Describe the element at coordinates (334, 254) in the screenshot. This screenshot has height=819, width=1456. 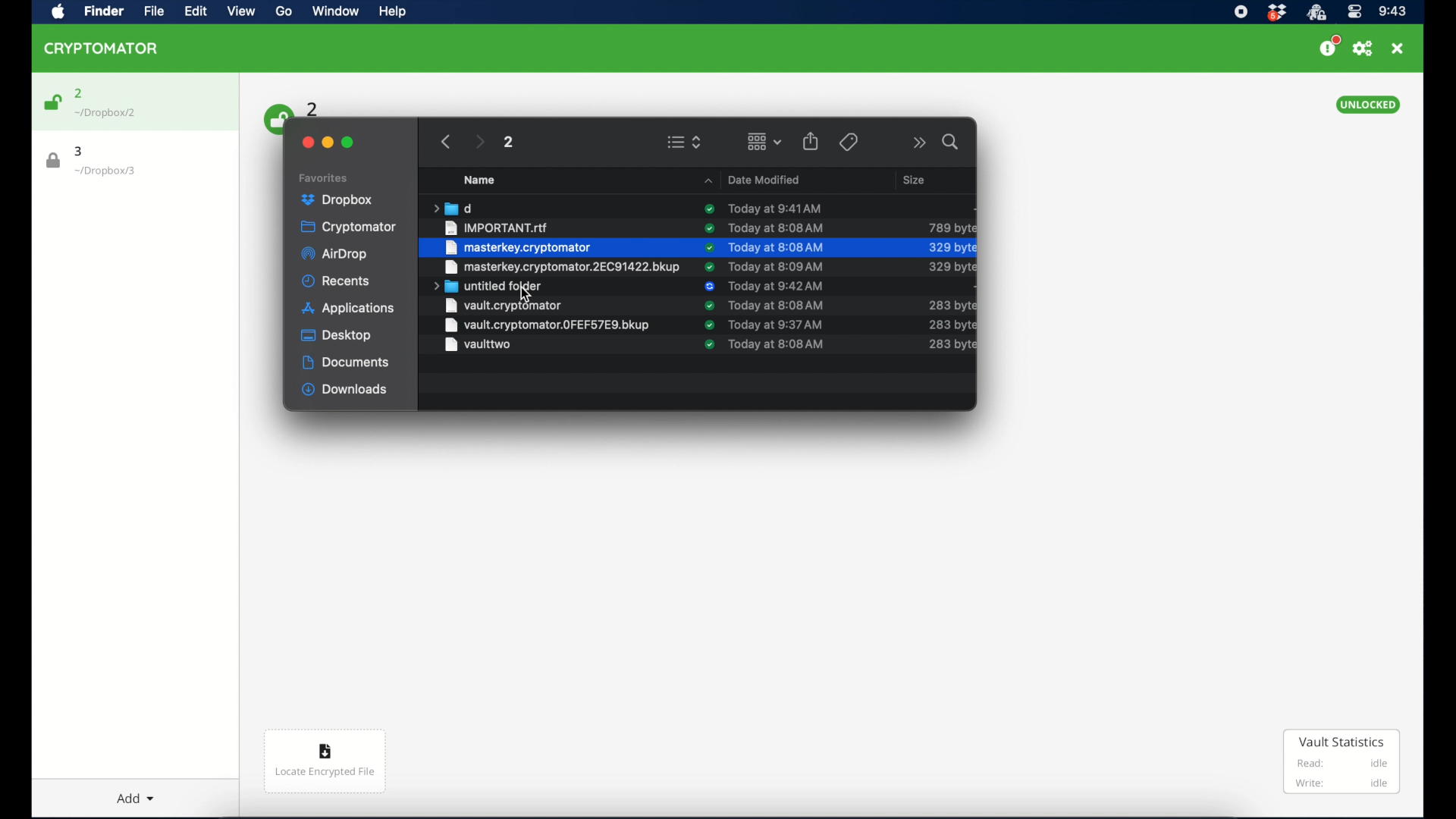
I see `airdrop` at that location.